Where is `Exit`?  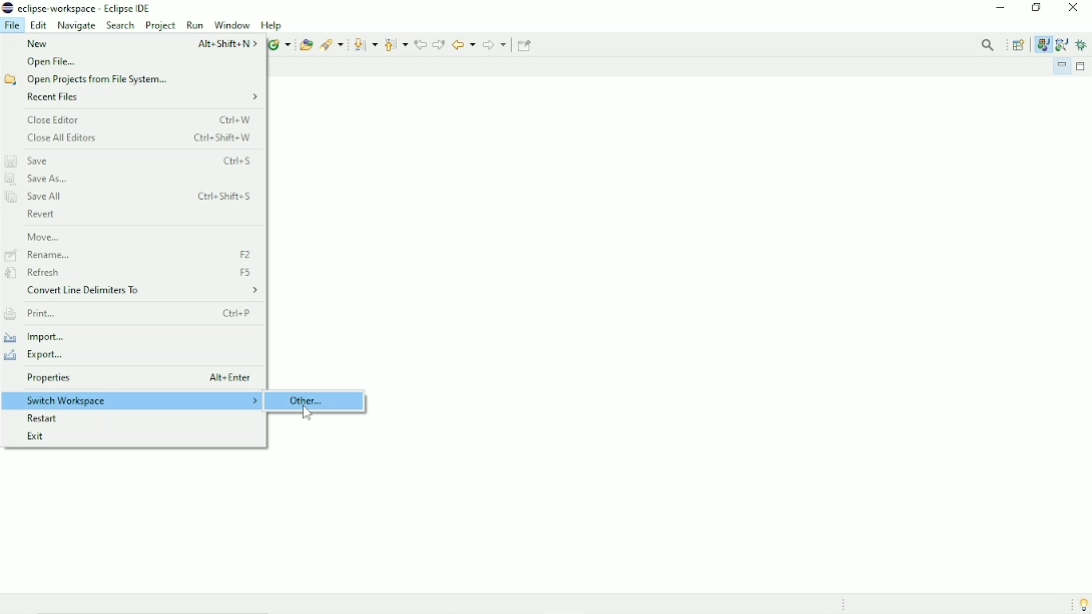
Exit is located at coordinates (41, 435).